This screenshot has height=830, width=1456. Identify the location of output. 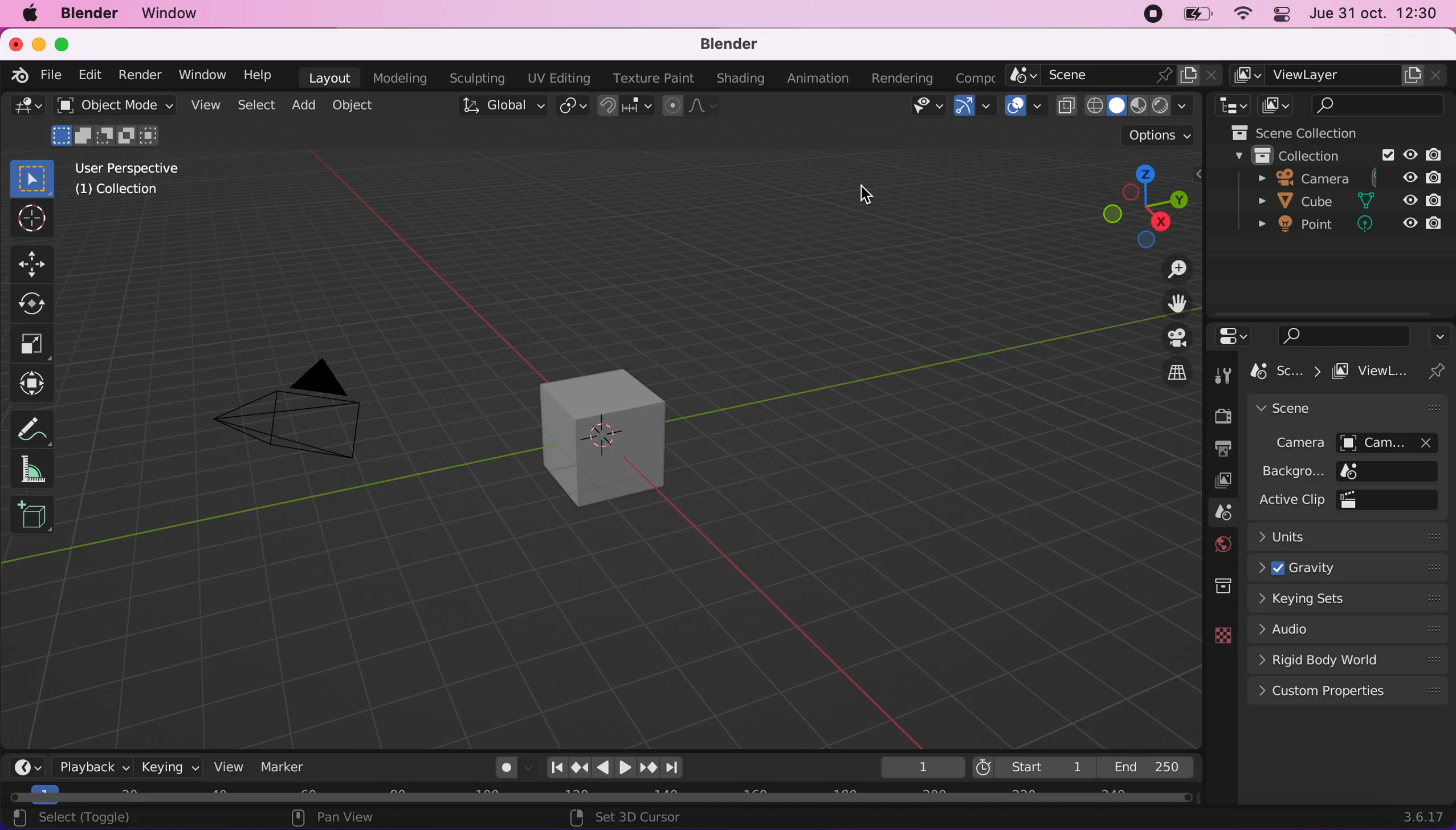
(1221, 447).